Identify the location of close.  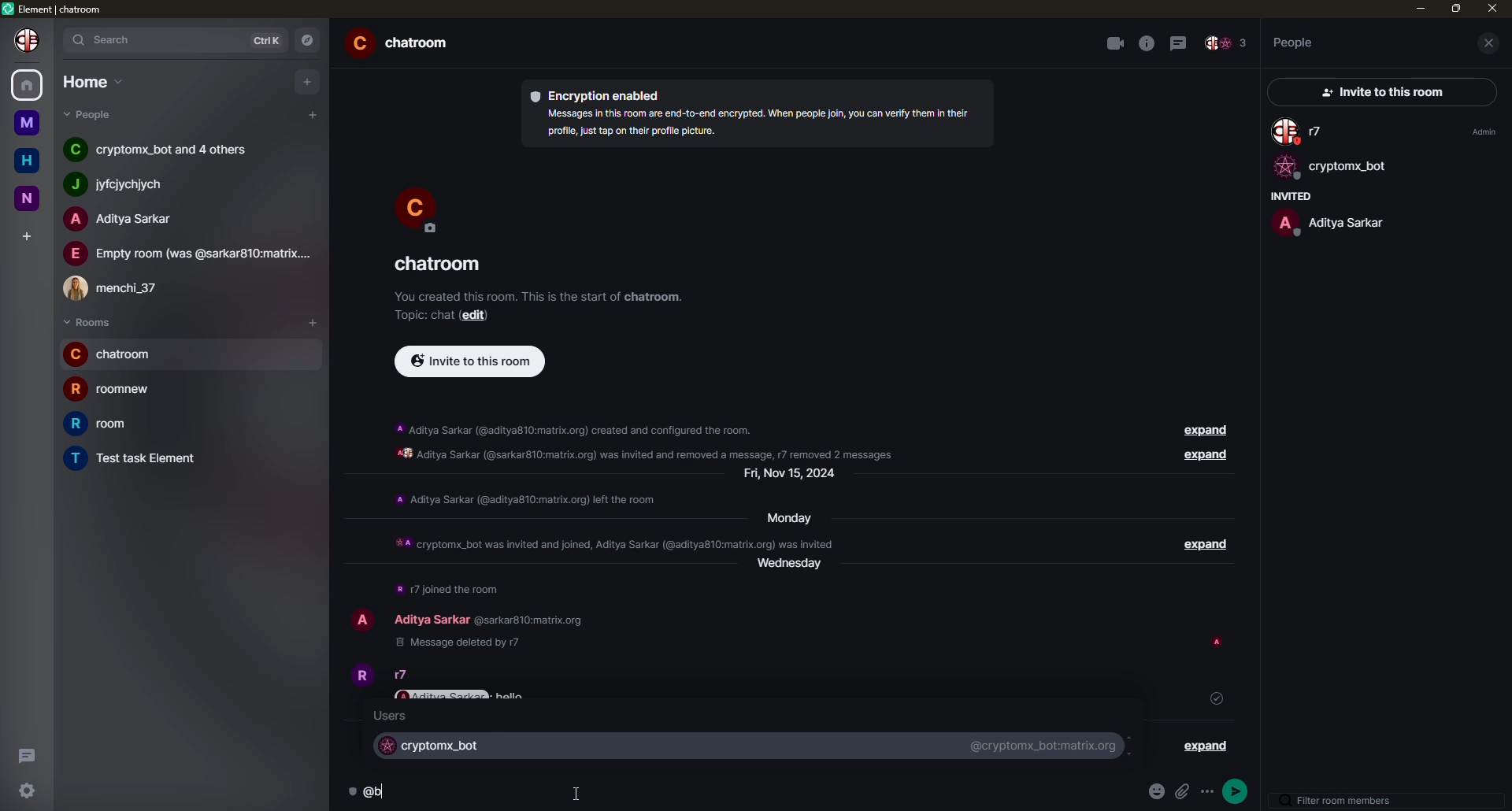
(1493, 43).